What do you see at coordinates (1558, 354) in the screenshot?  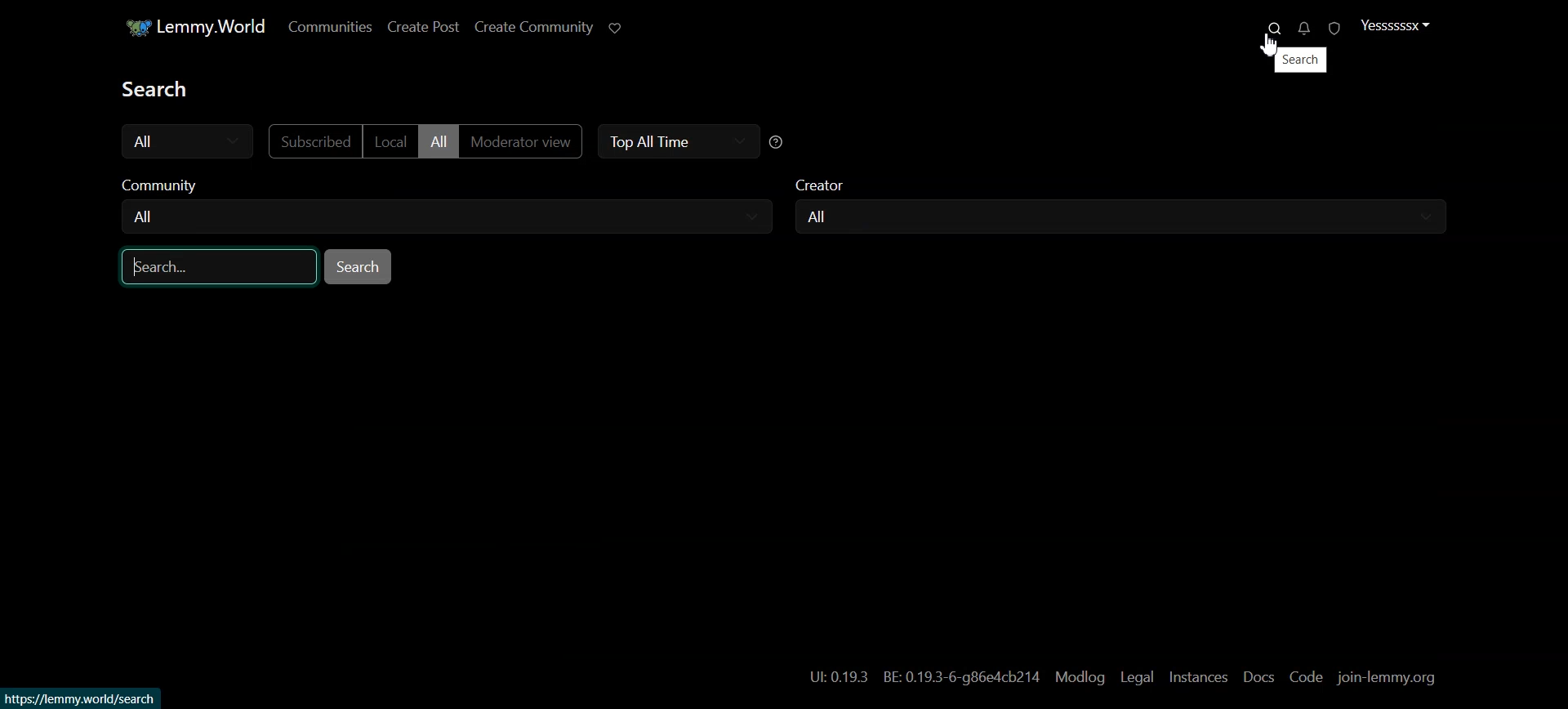 I see `Vertical scroll bar` at bounding box center [1558, 354].